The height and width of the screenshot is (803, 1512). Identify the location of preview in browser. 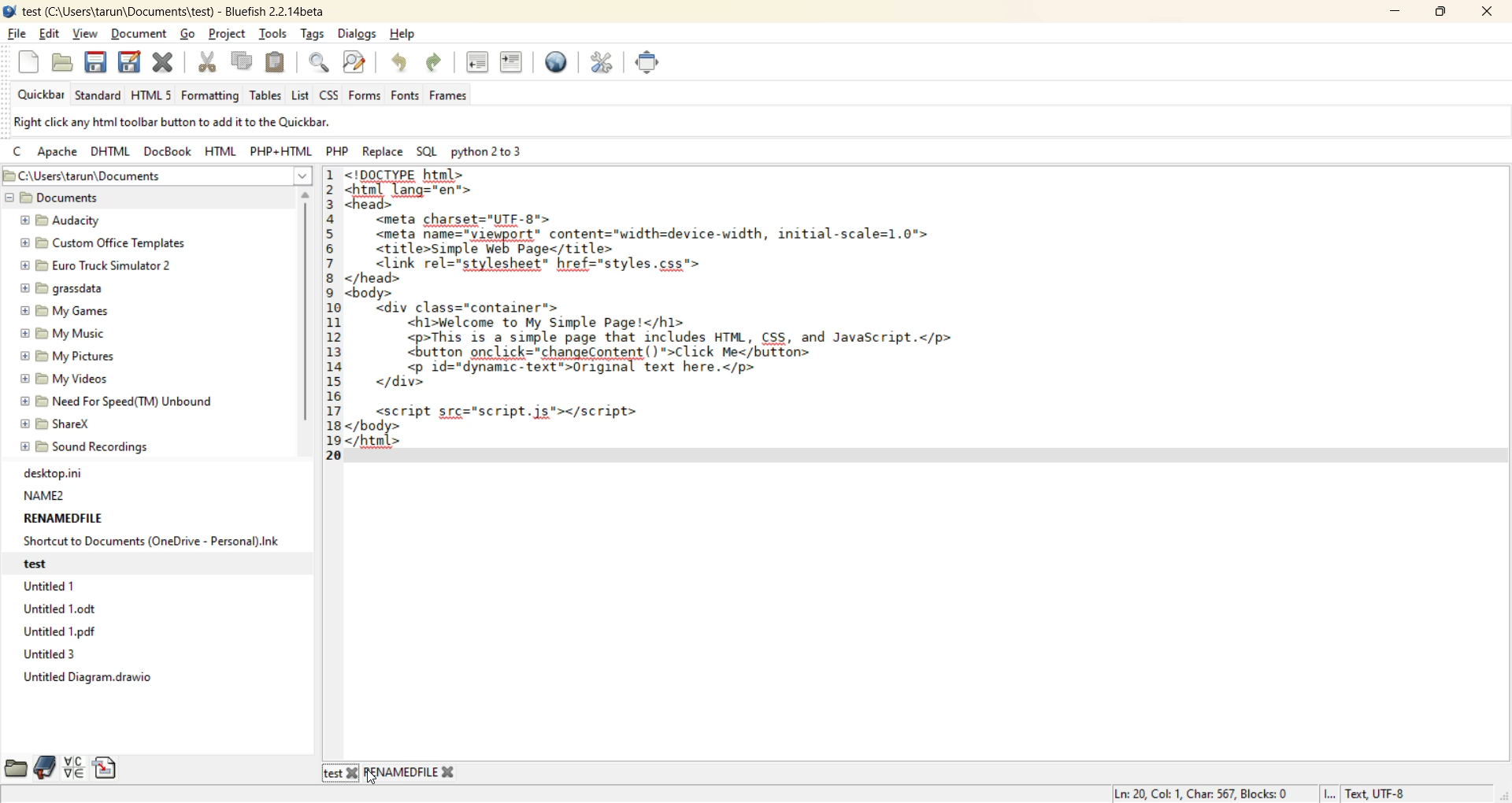
(561, 65).